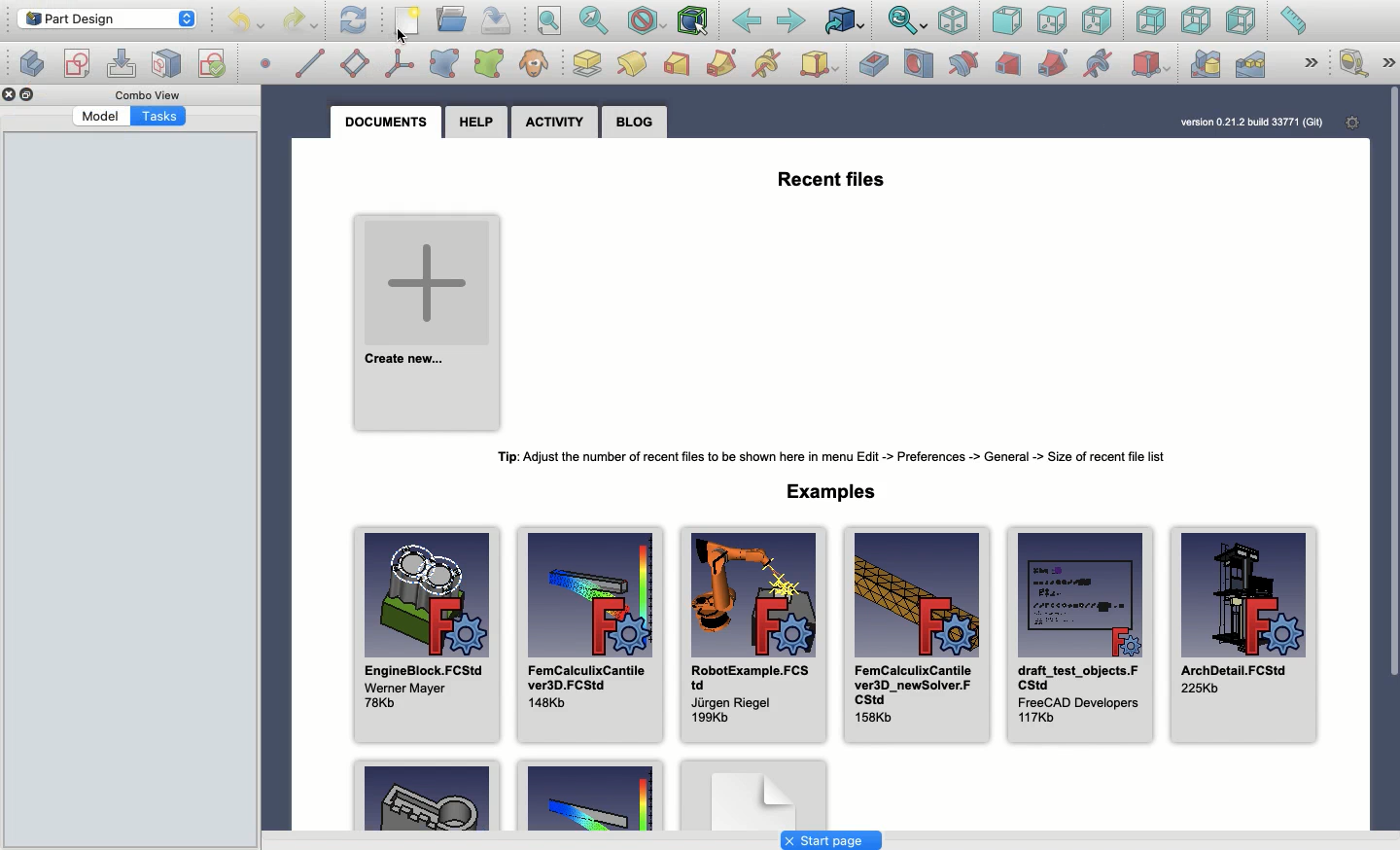  What do you see at coordinates (400, 65) in the screenshot?
I see `Local coordinate system` at bounding box center [400, 65].